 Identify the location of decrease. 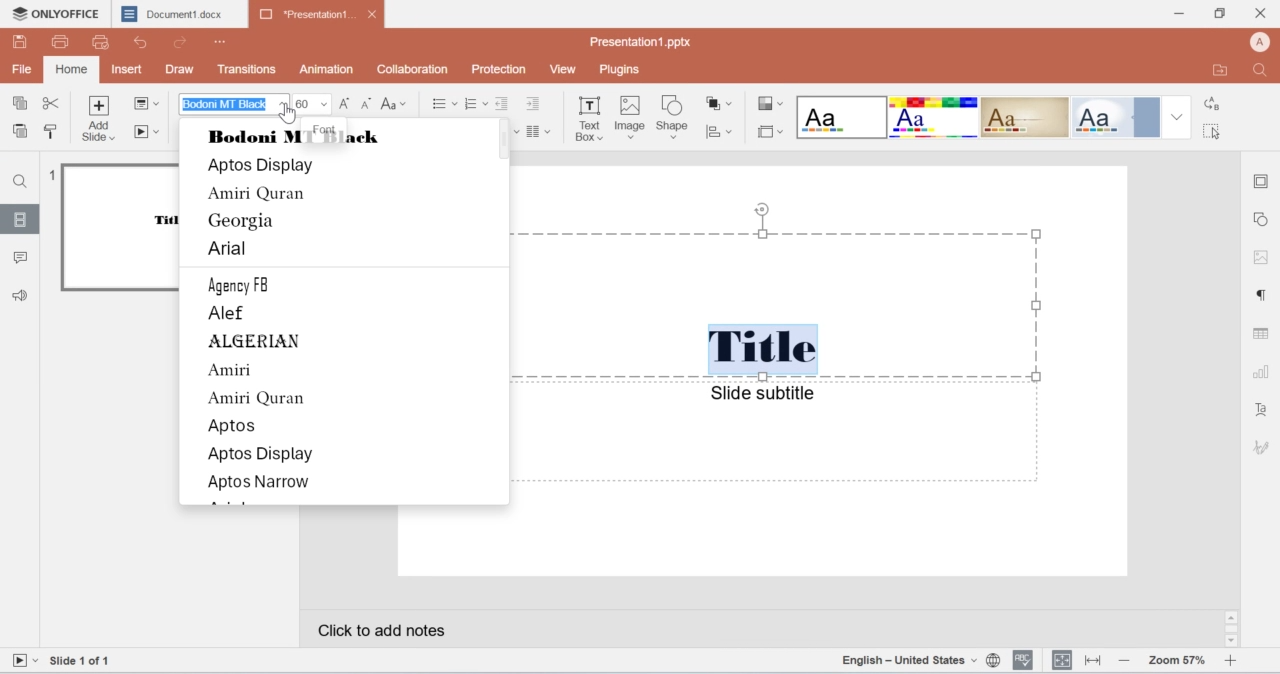
(1124, 662).